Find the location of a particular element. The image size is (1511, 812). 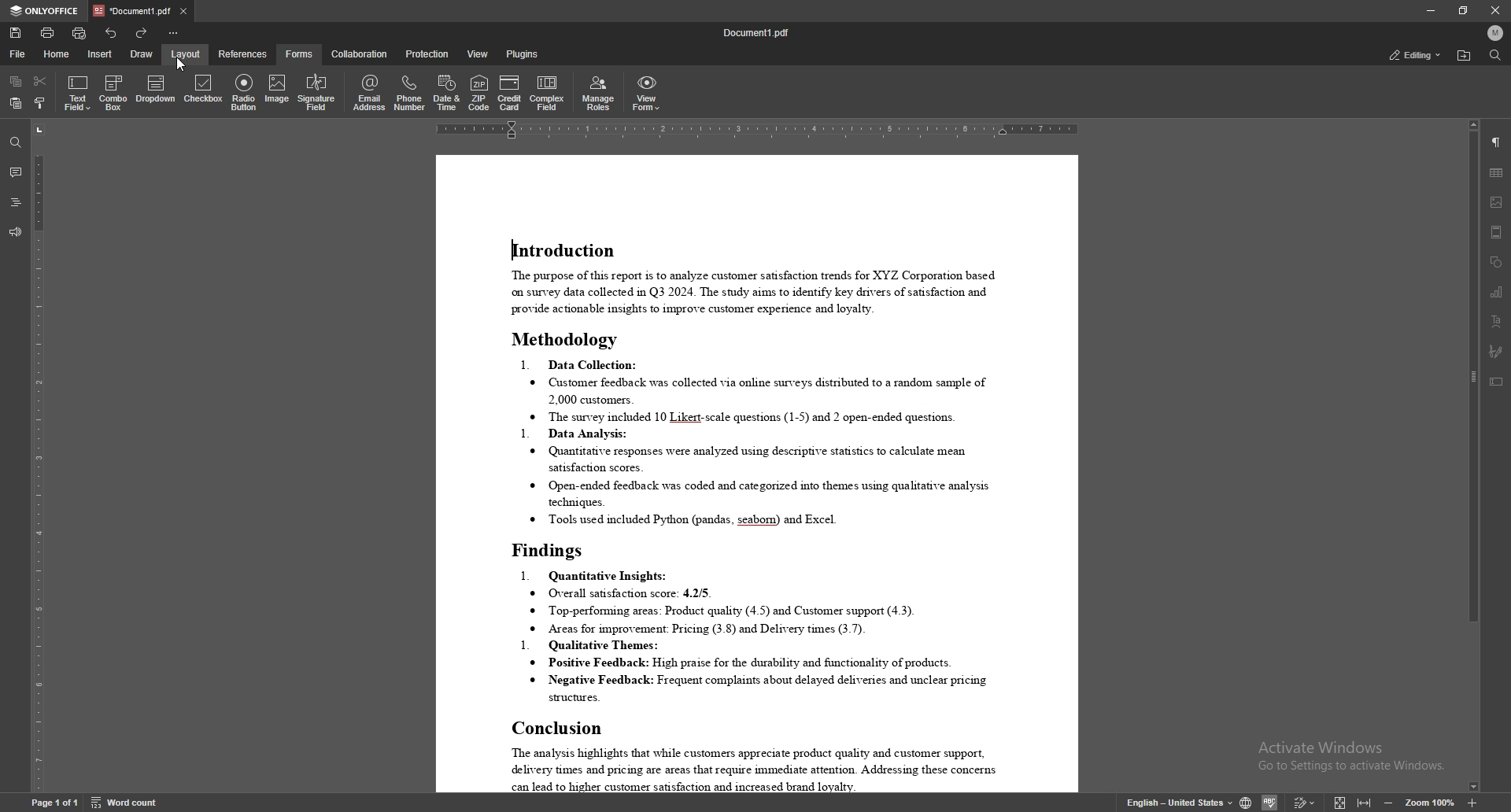

file is located at coordinates (20, 54).